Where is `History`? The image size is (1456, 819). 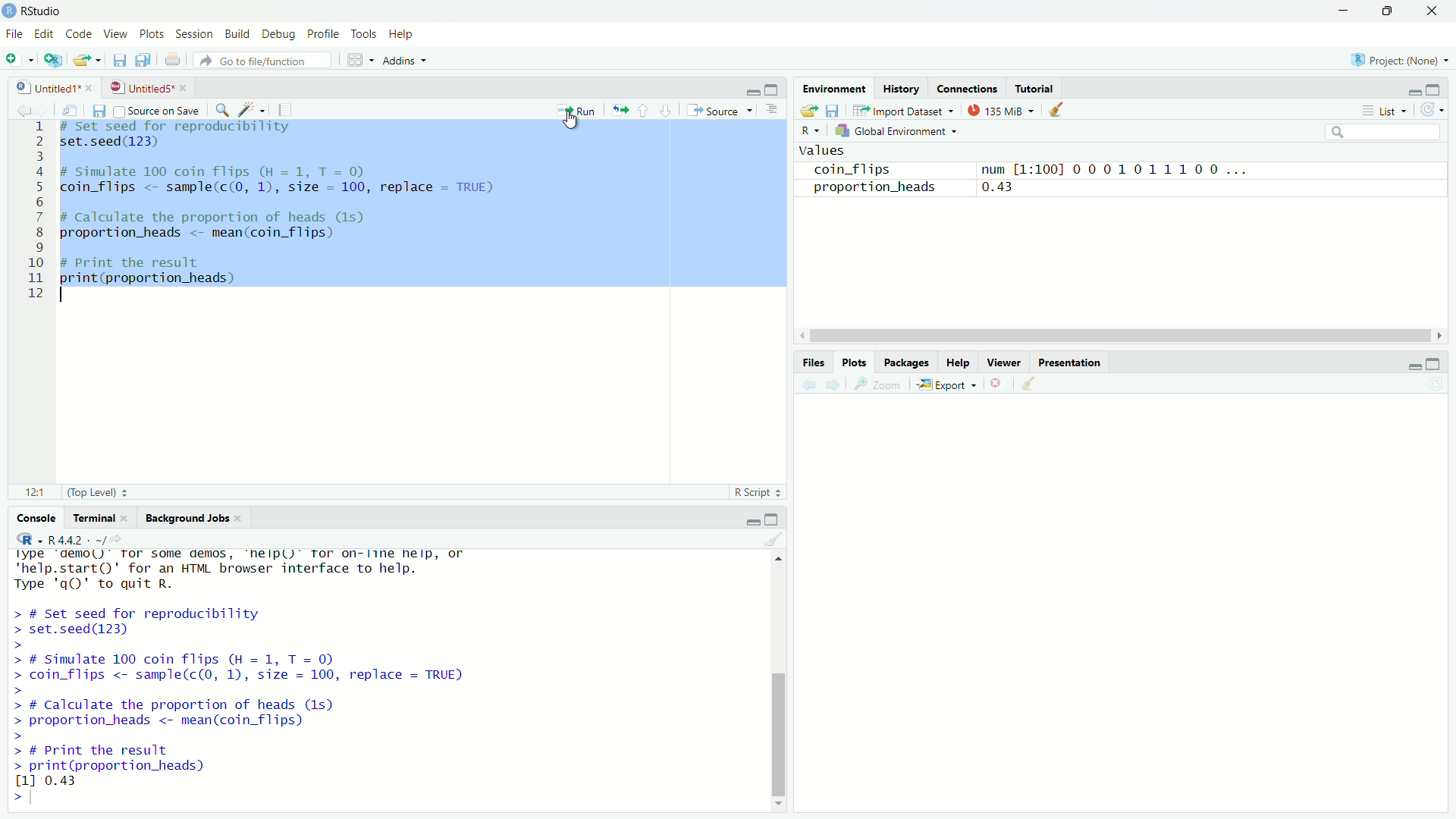 History is located at coordinates (901, 88).